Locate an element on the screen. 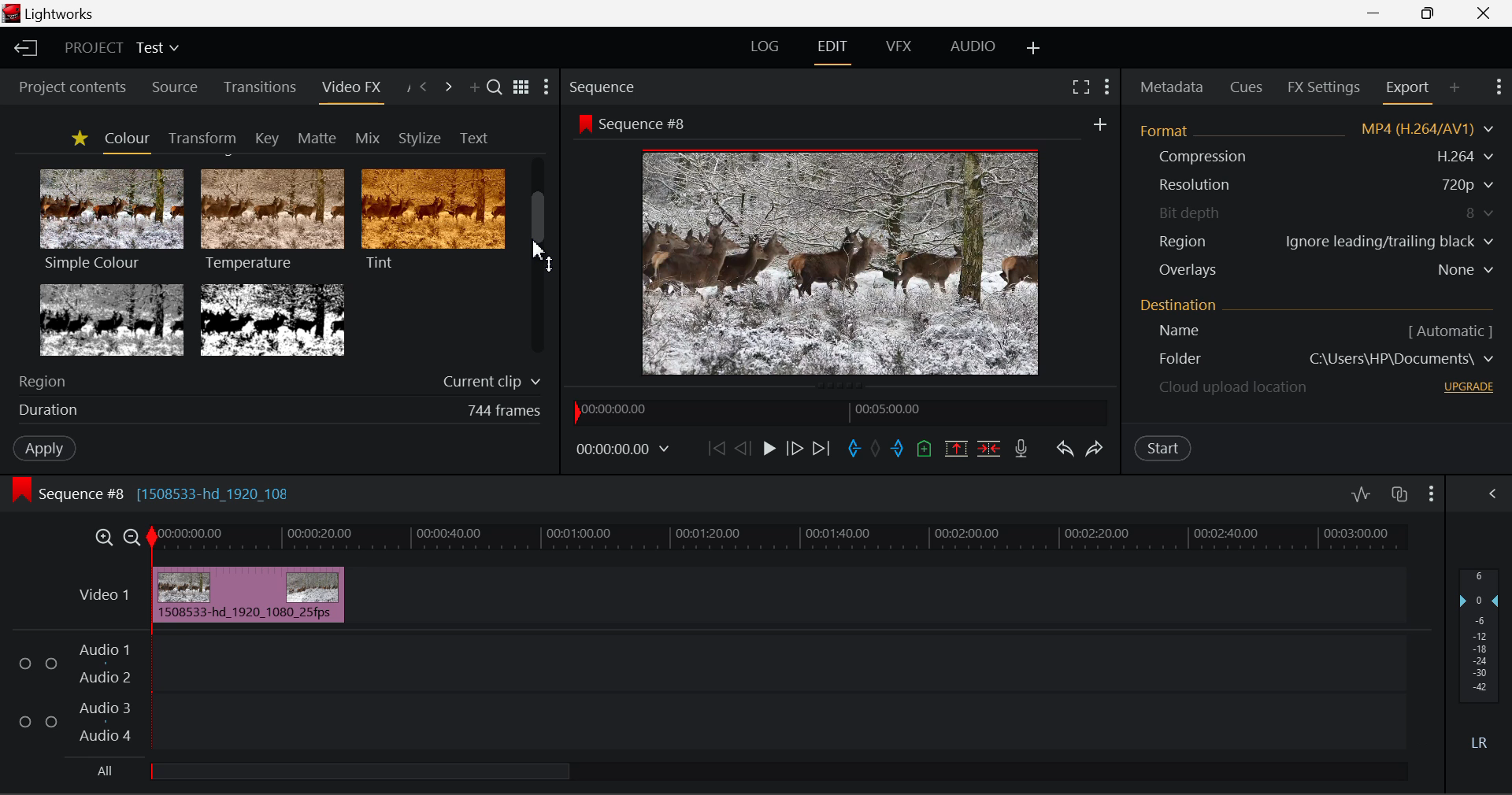 Image resolution: width=1512 pixels, height=795 pixels. FX Settings is located at coordinates (1324, 87).